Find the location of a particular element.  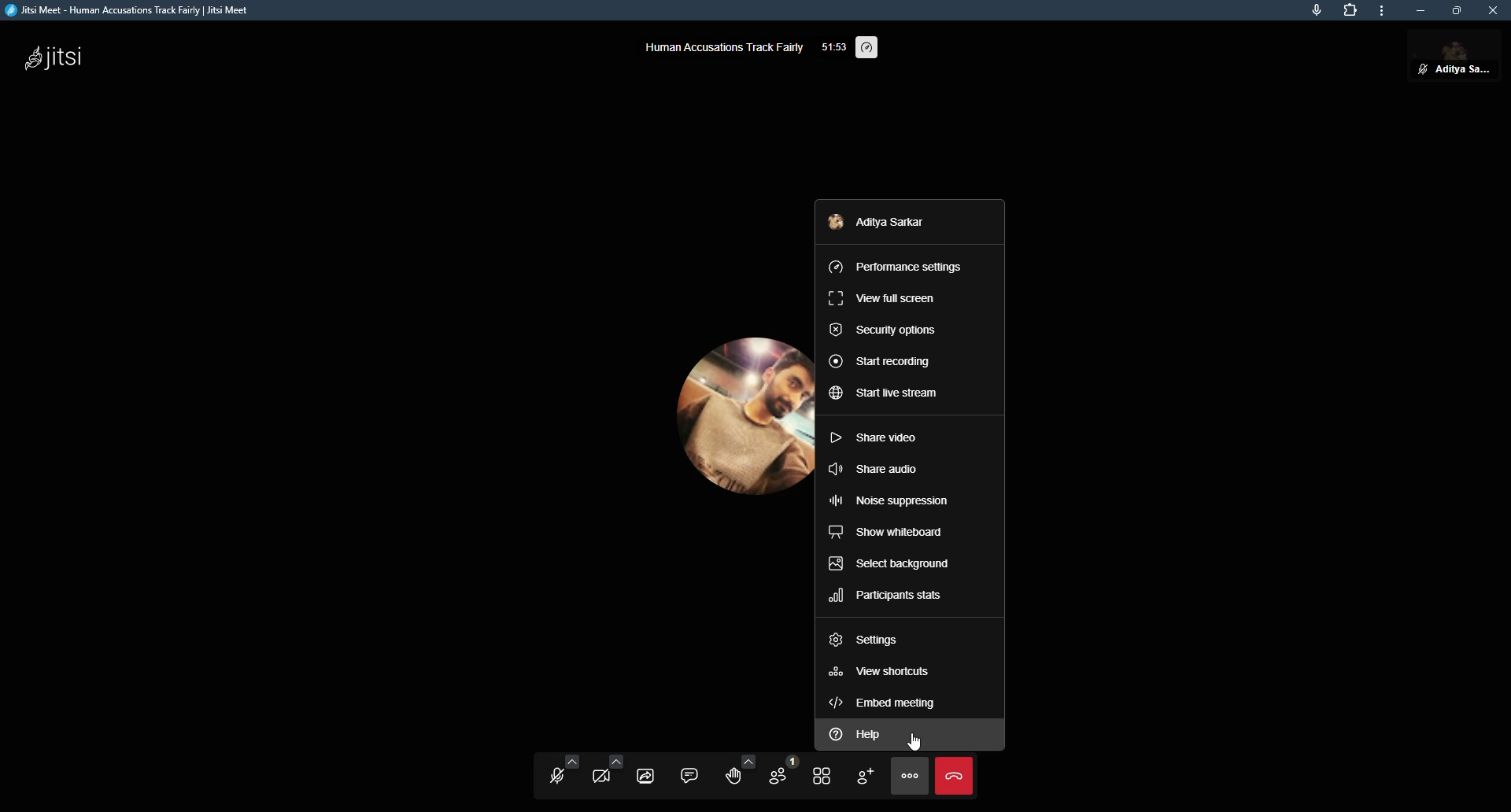

start camera is located at coordinates (602, 773).